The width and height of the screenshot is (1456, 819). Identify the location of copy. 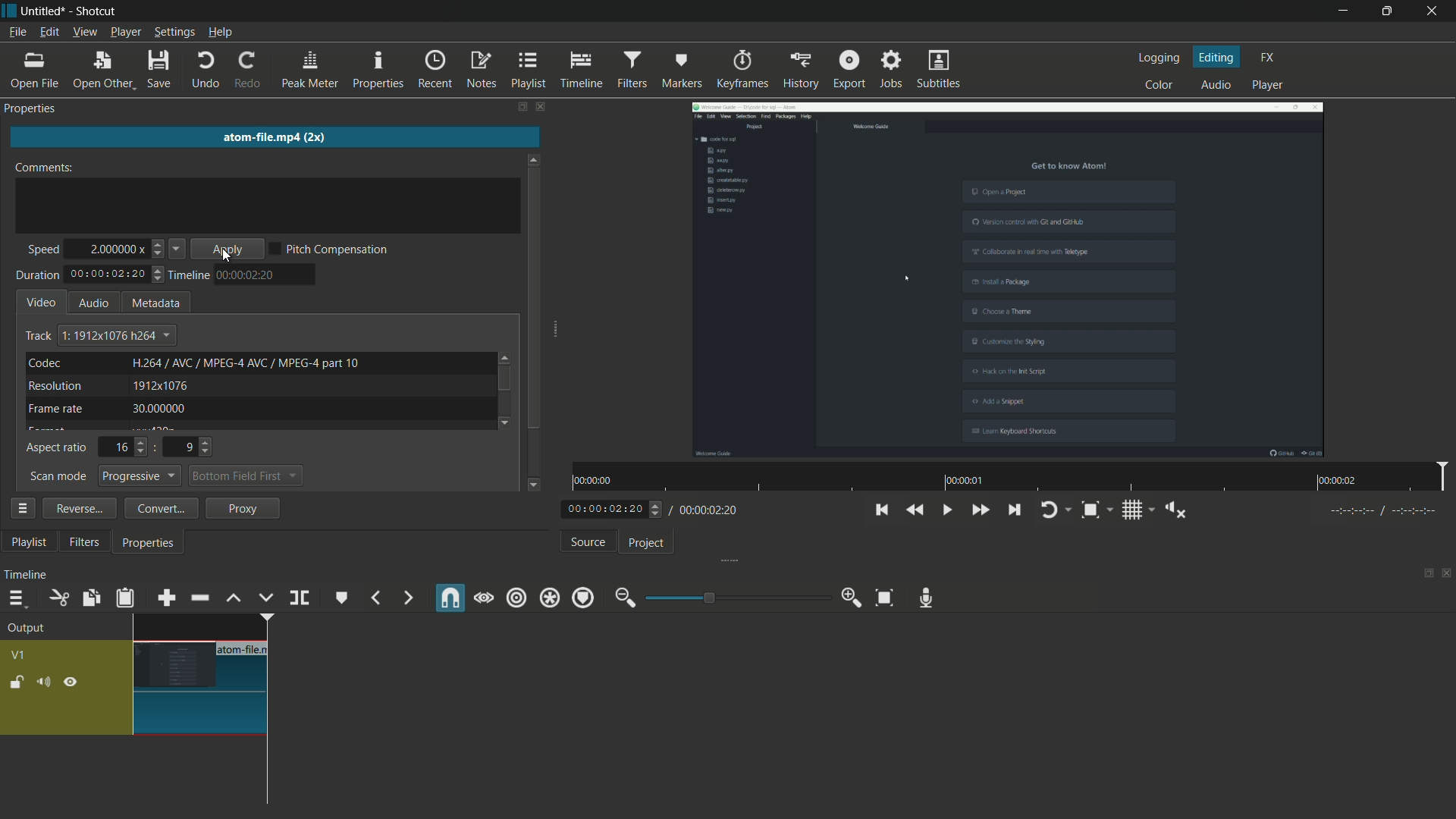
(89, 598).